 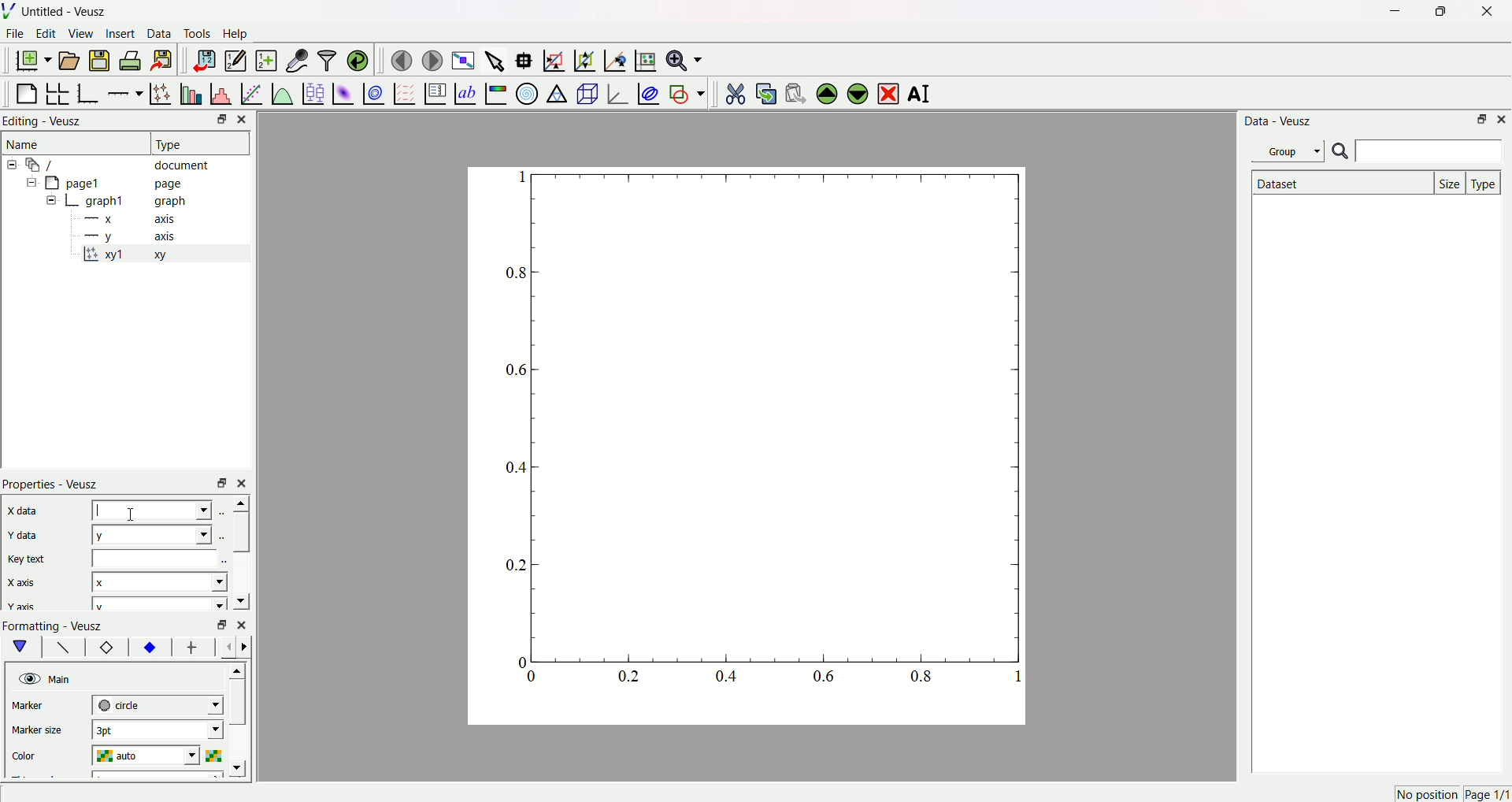 What do you see at coordinates (827, 92) in the screenshot?
I see `move the widgets up` at bounding box center [827, 92].